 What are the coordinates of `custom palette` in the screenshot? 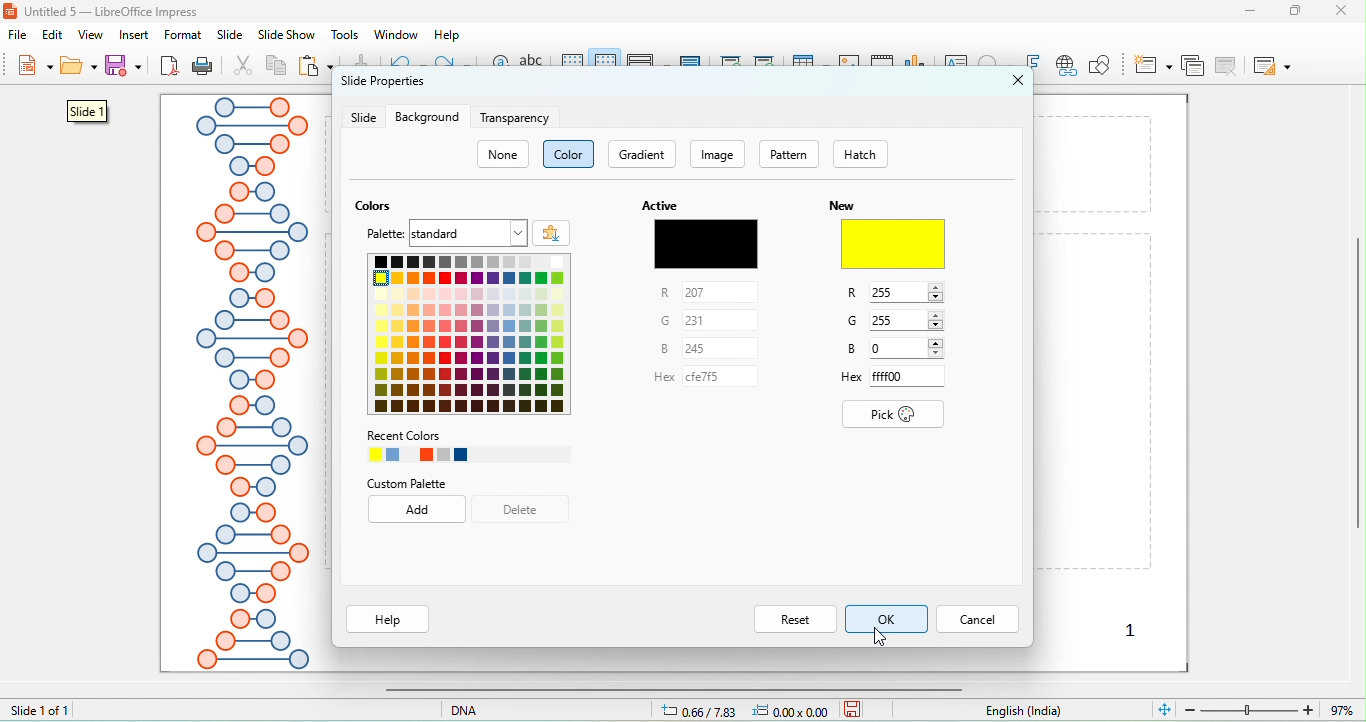 It's located at (406, 484).